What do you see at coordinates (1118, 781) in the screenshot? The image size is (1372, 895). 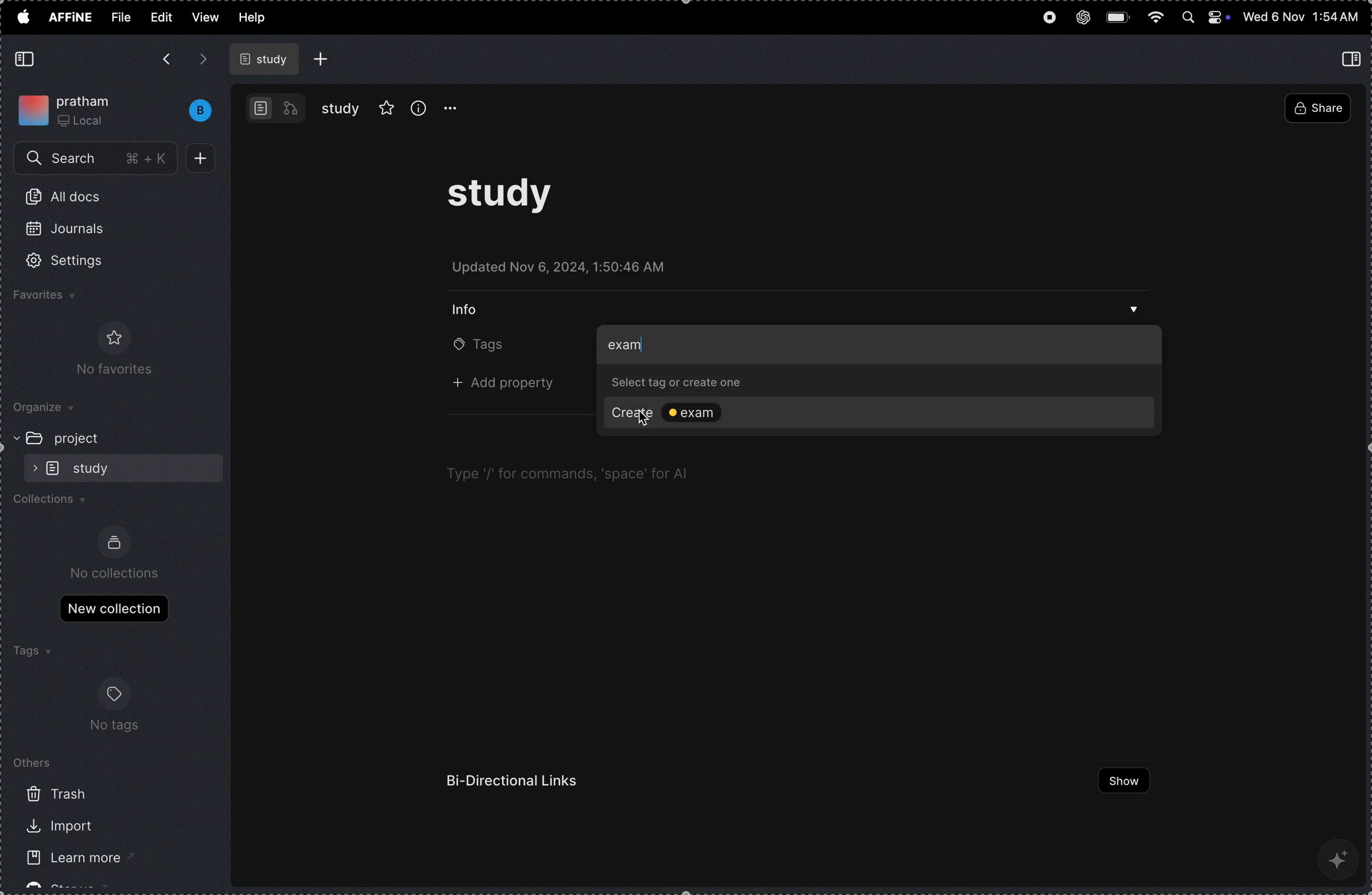 I see `show` at bounding box center [1118, 781].